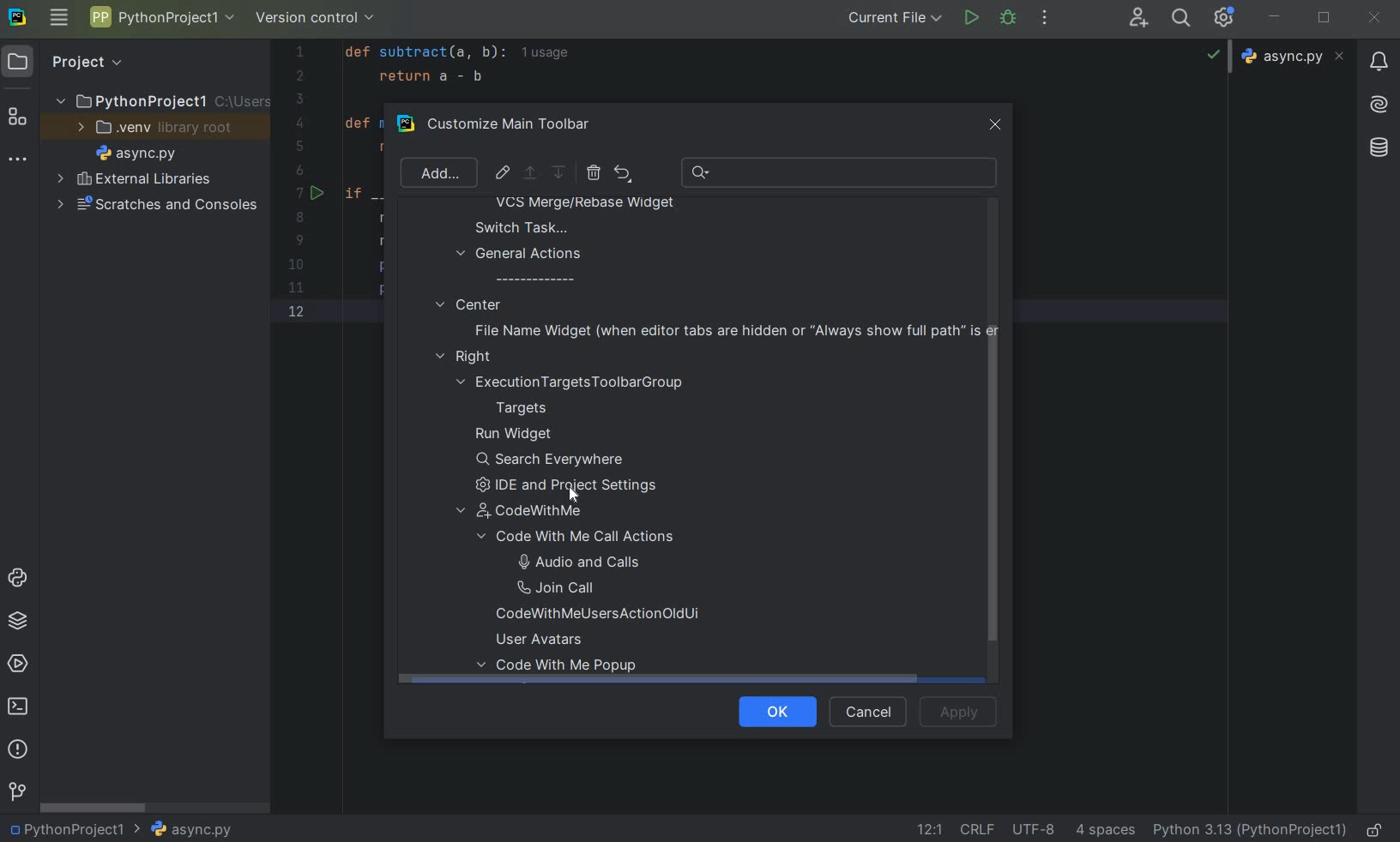  Describe the element at coordinates (529, 173) in the screenshot. I see `MOVE UP` at that location.